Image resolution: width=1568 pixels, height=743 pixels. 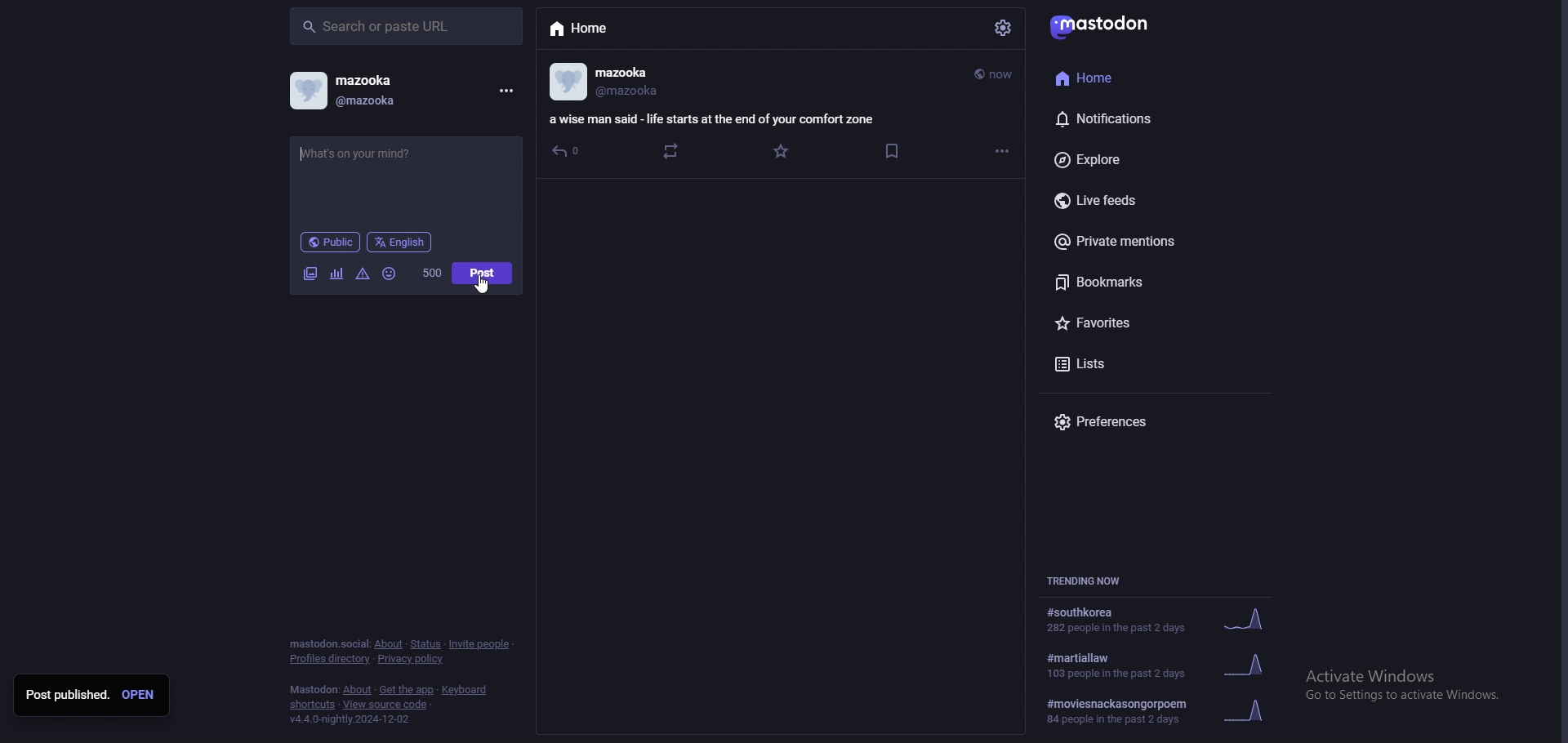 I want to click on menu, so click(x=506, y=90).